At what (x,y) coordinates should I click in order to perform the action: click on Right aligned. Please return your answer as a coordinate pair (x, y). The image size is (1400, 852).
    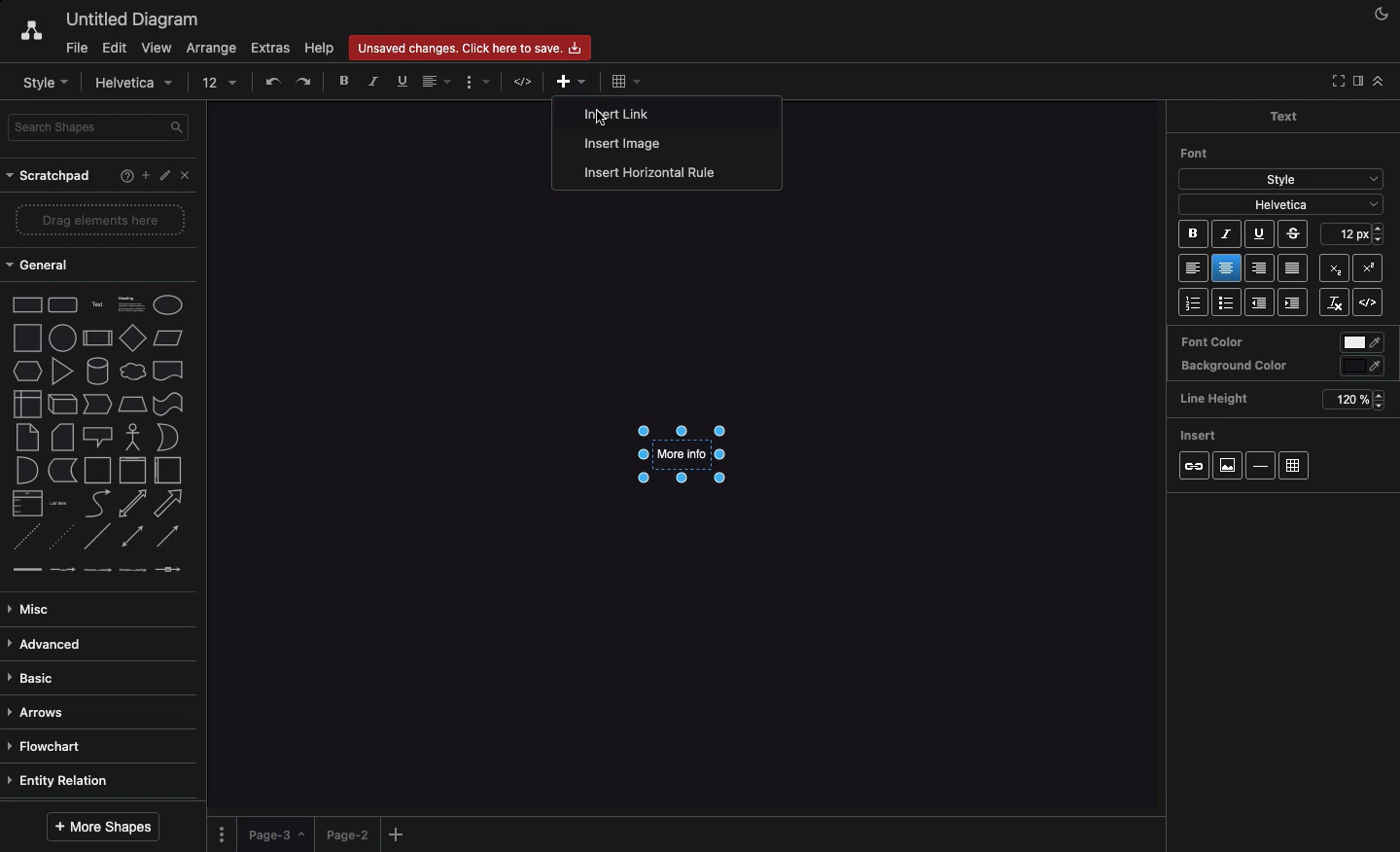
    Looking at the image, I should click on (1260, 269).